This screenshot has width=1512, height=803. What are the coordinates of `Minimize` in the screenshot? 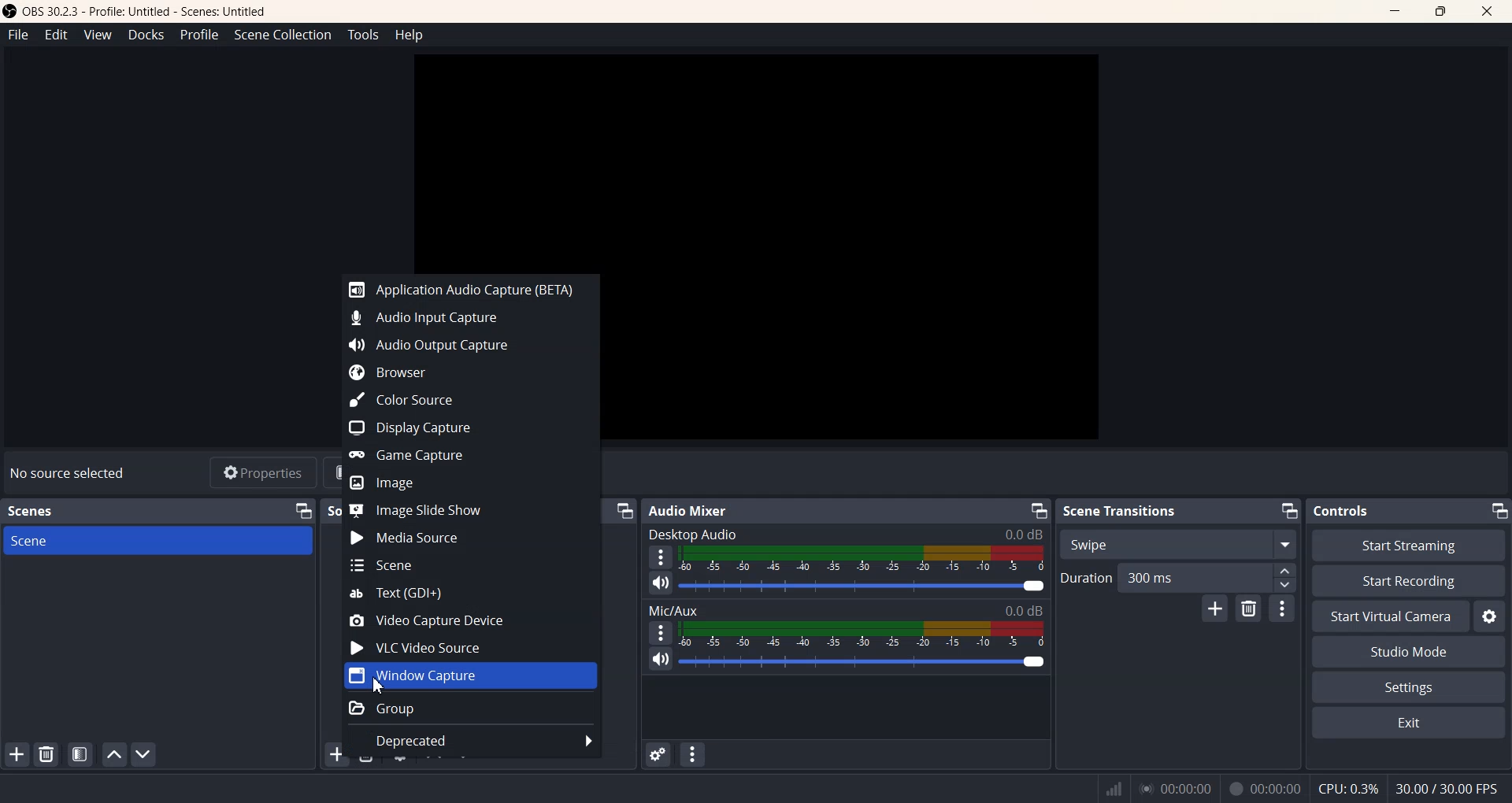 It's located at (1398, 12).